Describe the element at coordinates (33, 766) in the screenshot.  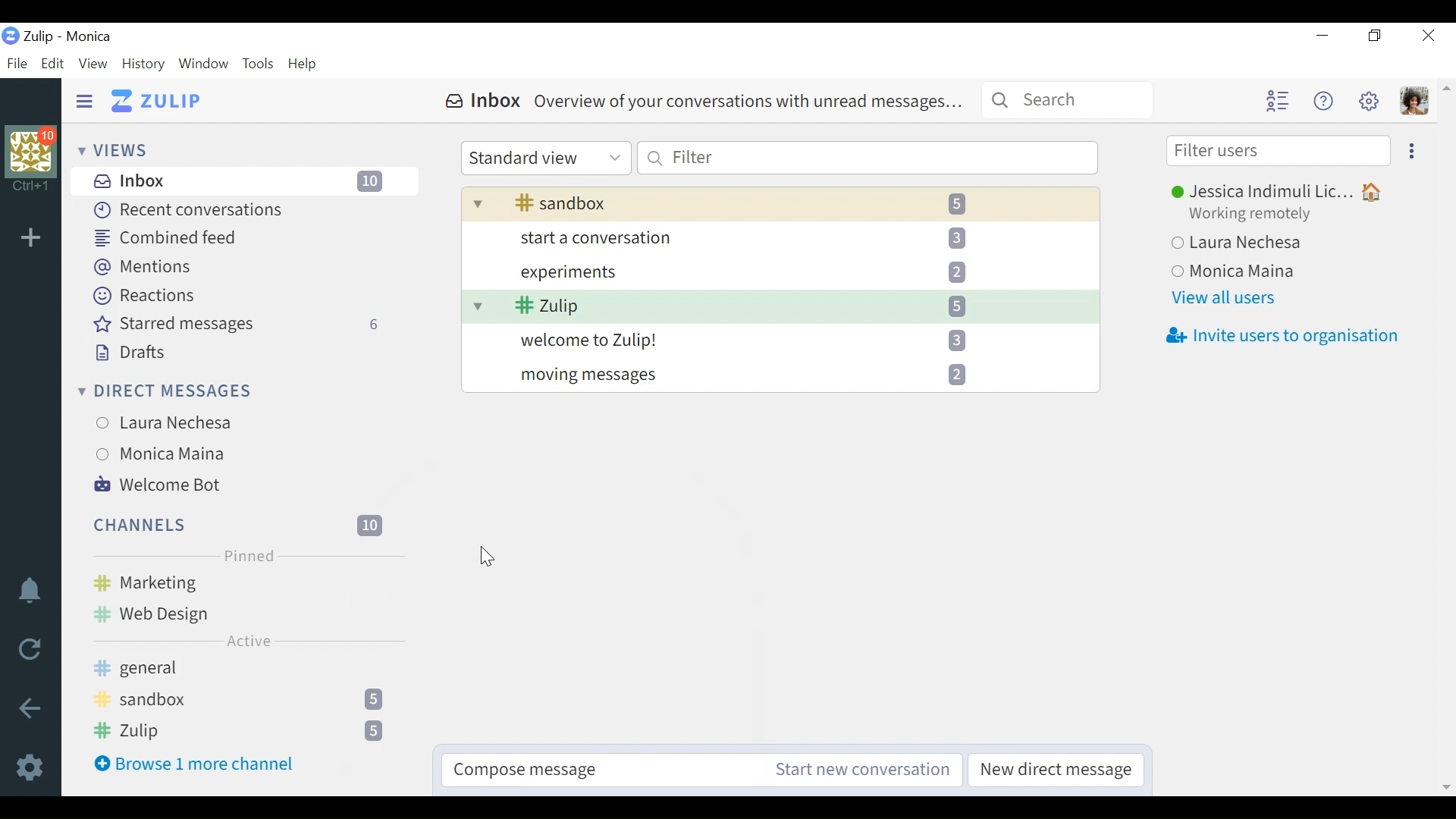
I see `Settings` at that location.